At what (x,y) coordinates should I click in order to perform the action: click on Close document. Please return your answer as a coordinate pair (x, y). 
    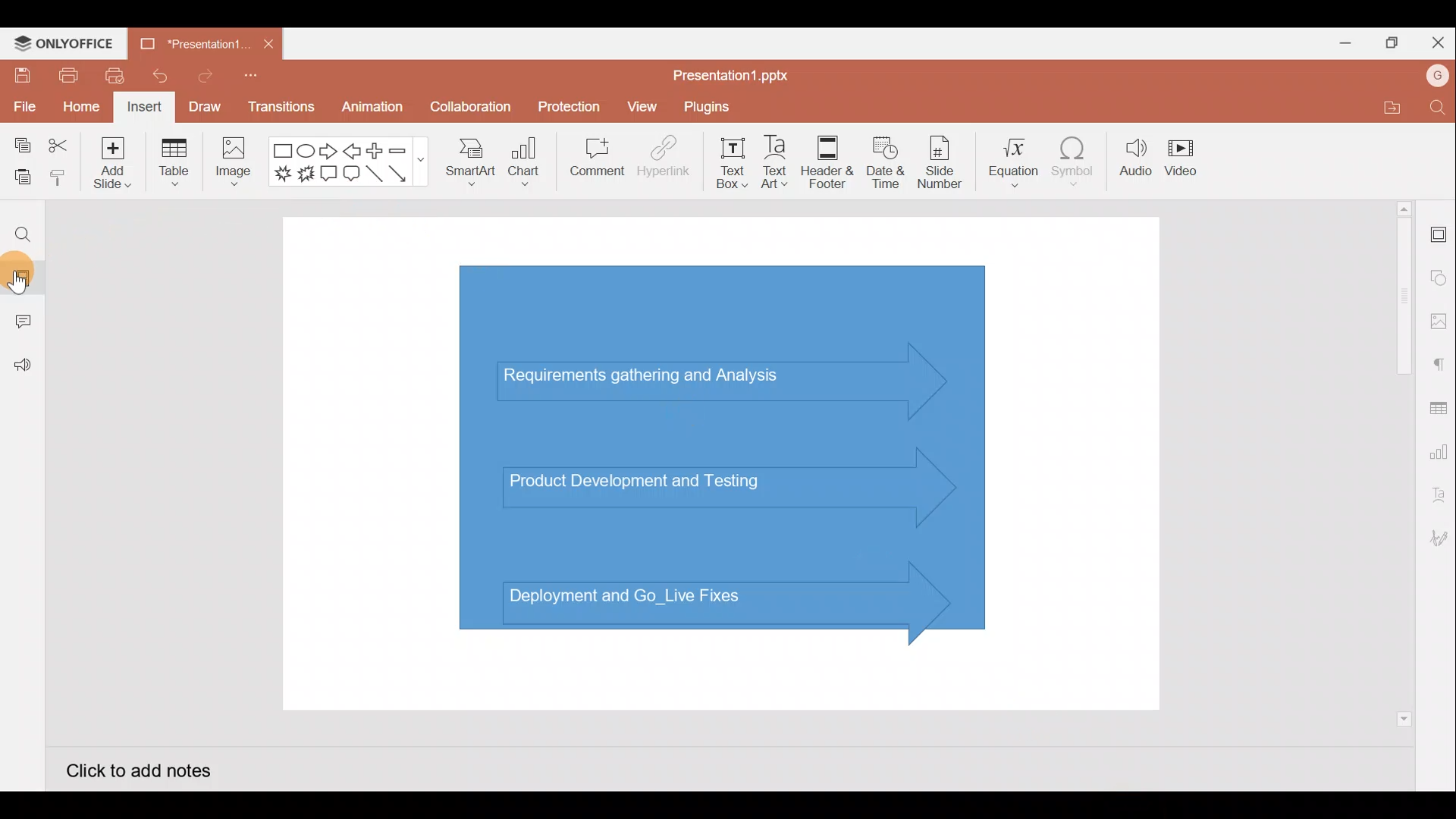
    Looking at the image, I should click on (267, 40).